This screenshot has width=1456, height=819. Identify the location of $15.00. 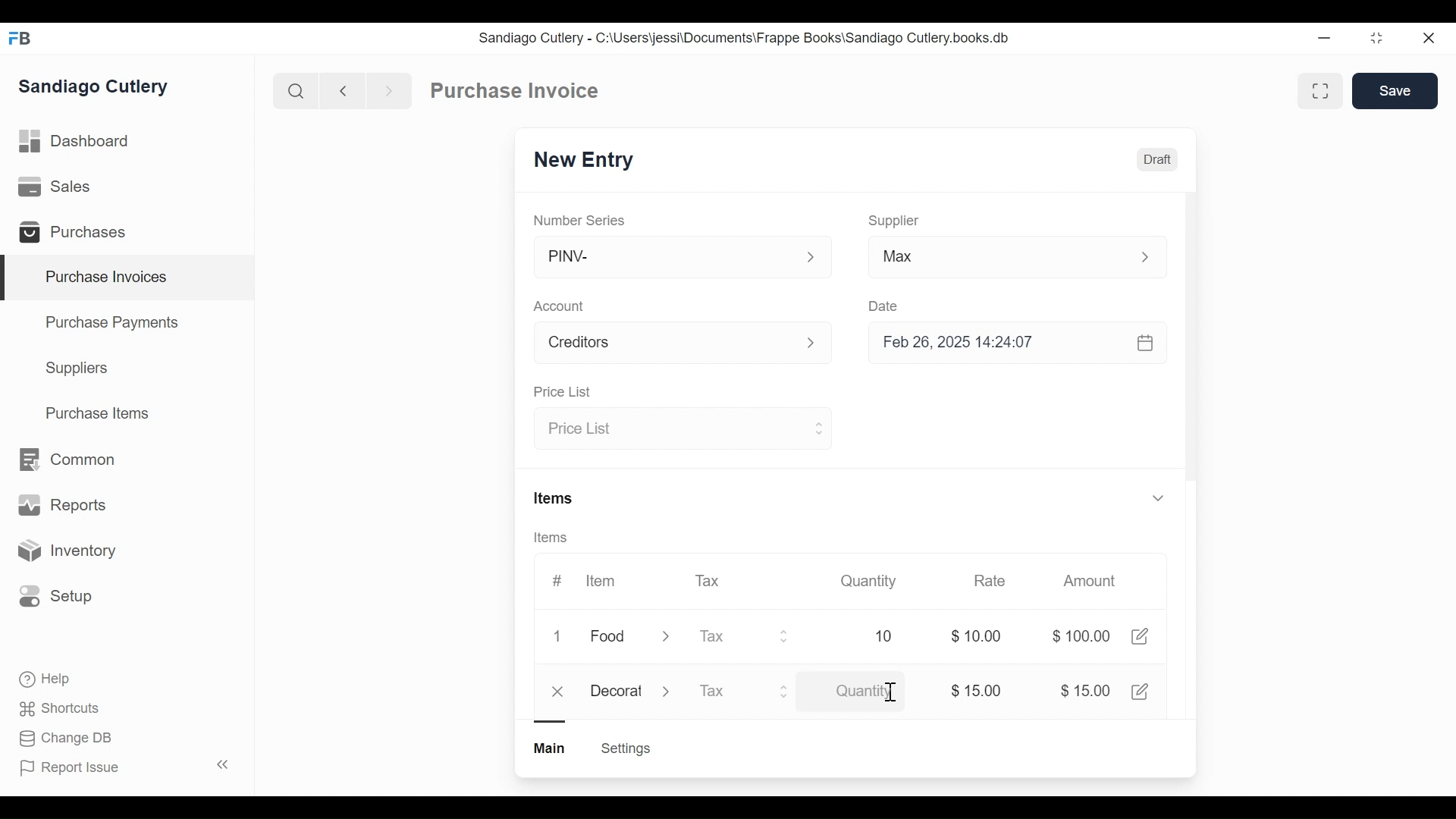
(976, 691).